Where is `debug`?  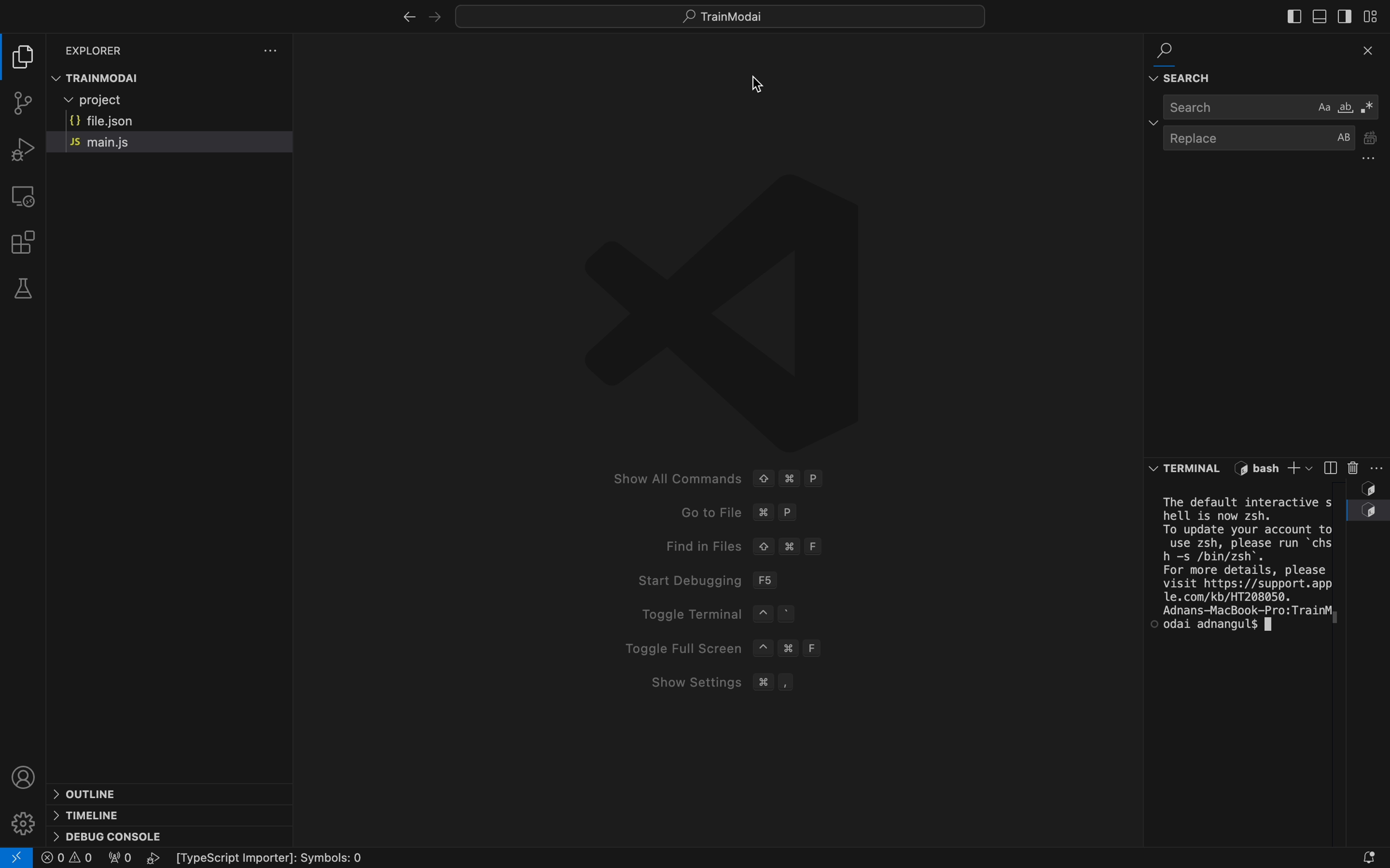
debug is located at coordinates (20, 149).